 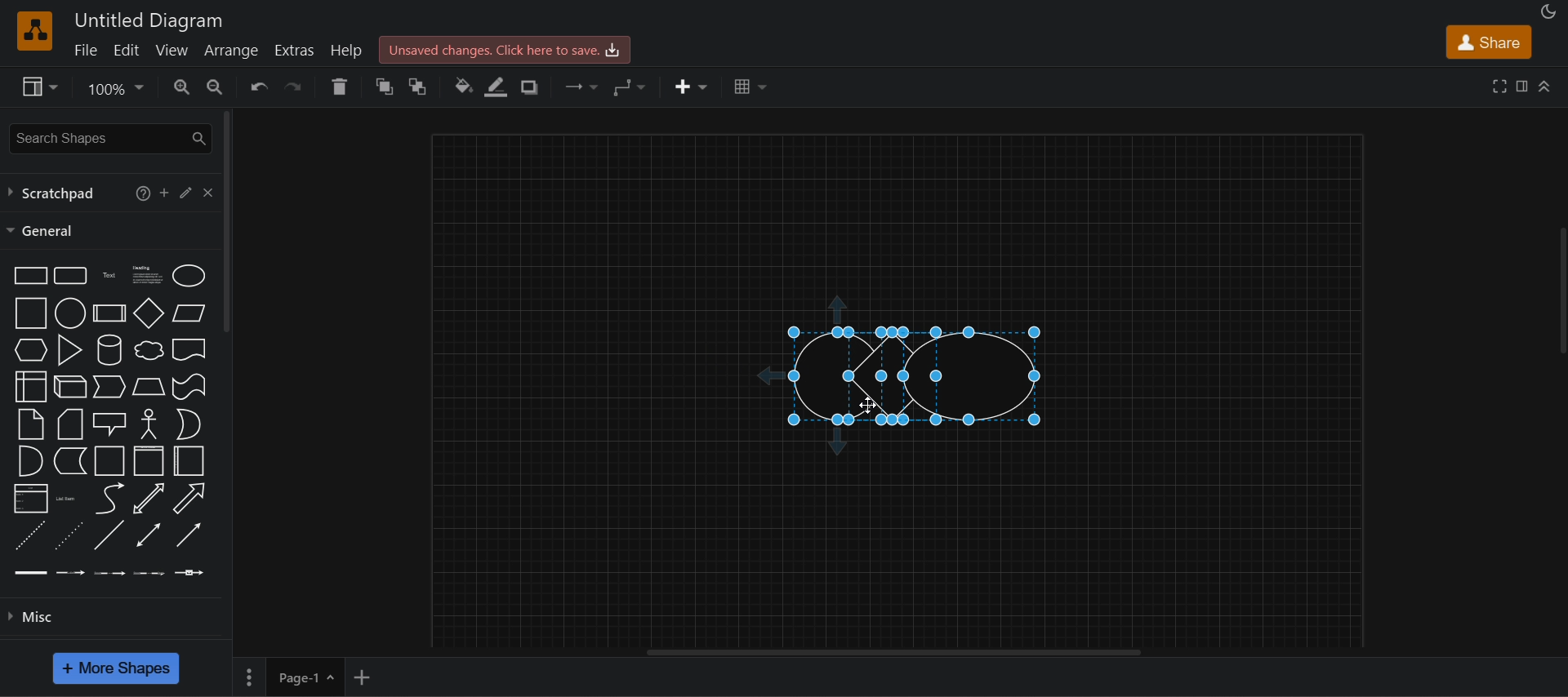 What do you see at coordinates (31, 571) in the screenshot?
I see `link` at bounding box center [31, 571].